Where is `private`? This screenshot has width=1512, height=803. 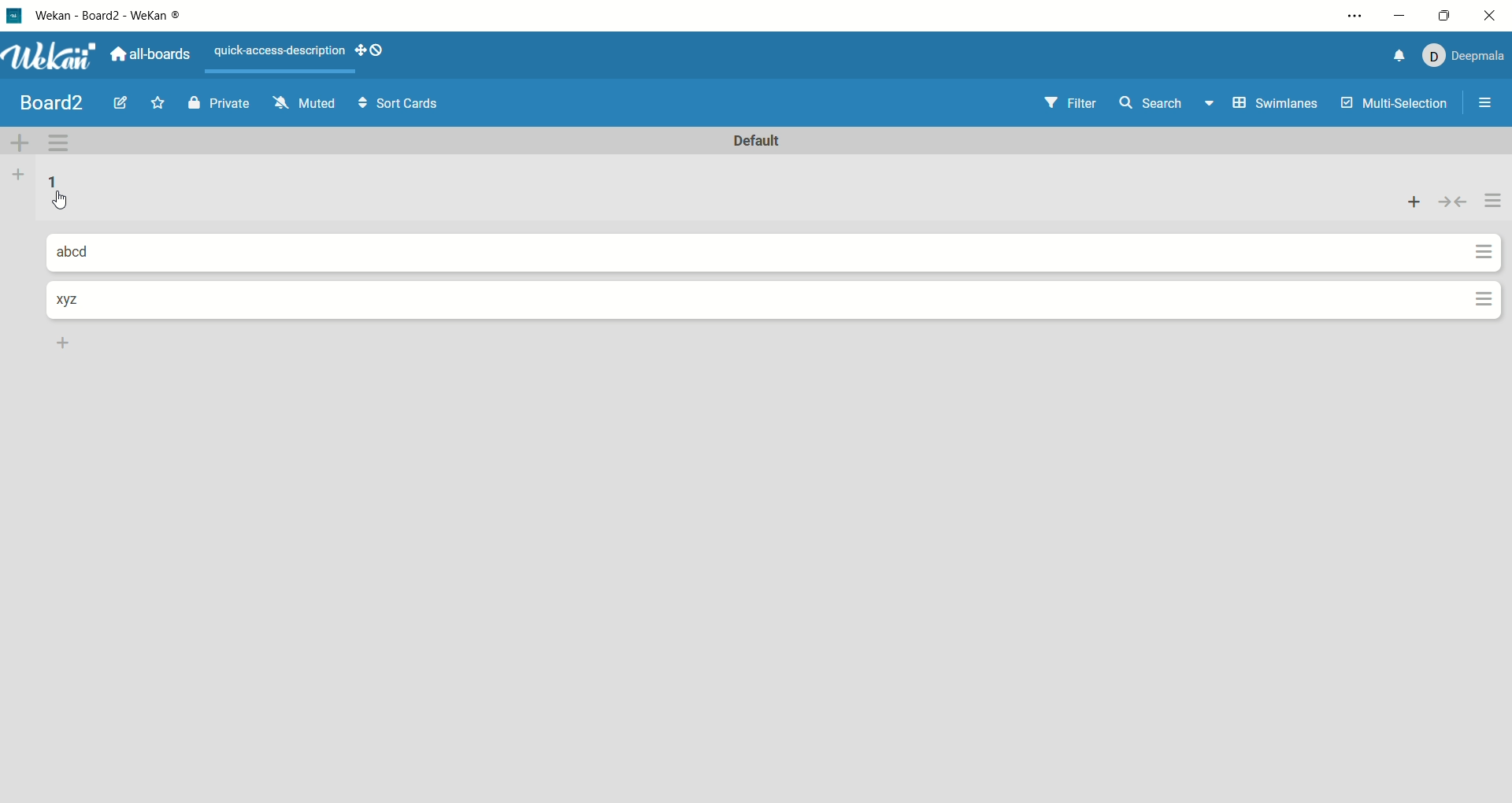
private is located at coordinates (220, 102).